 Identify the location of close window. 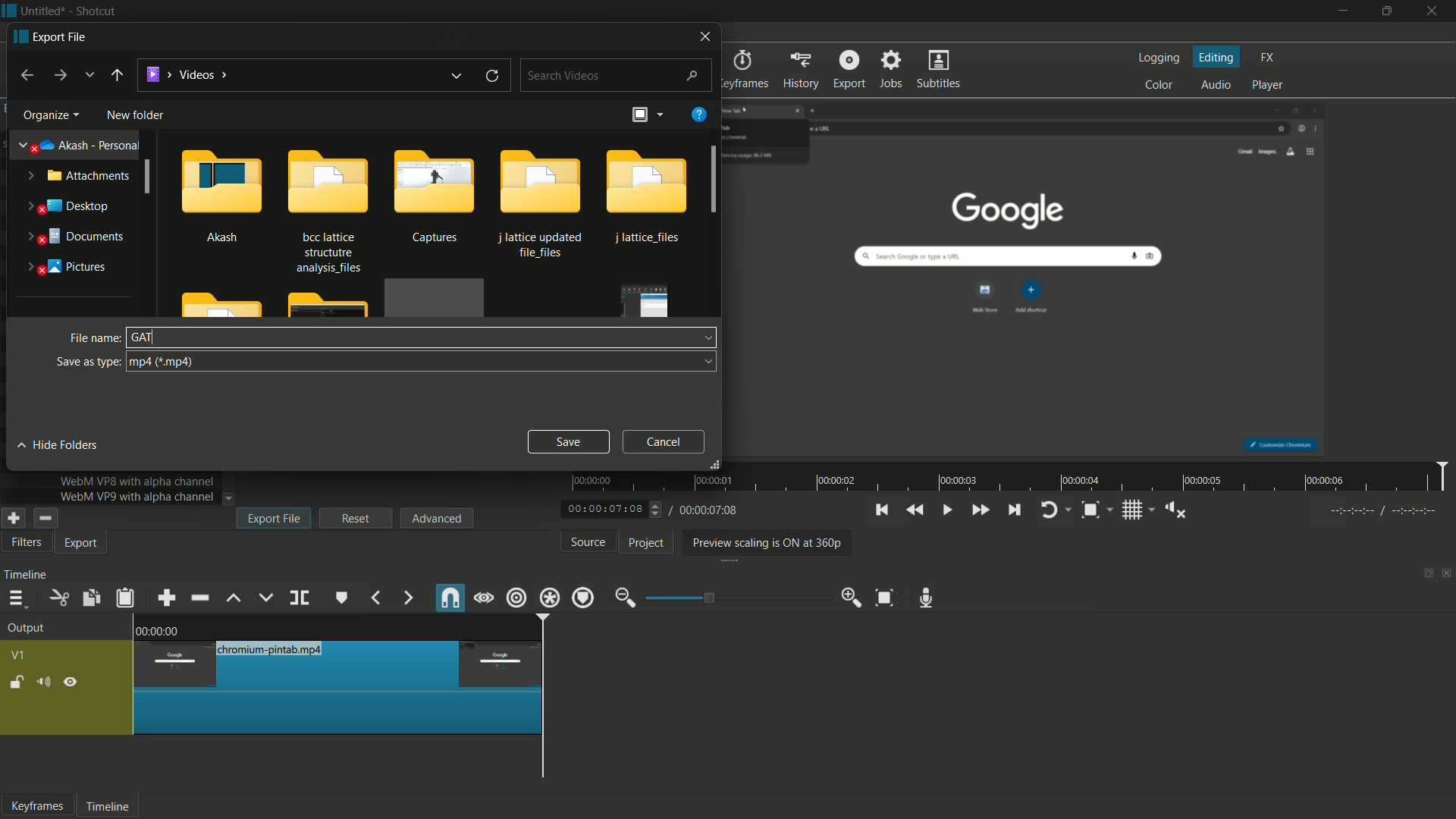
(707, 35).